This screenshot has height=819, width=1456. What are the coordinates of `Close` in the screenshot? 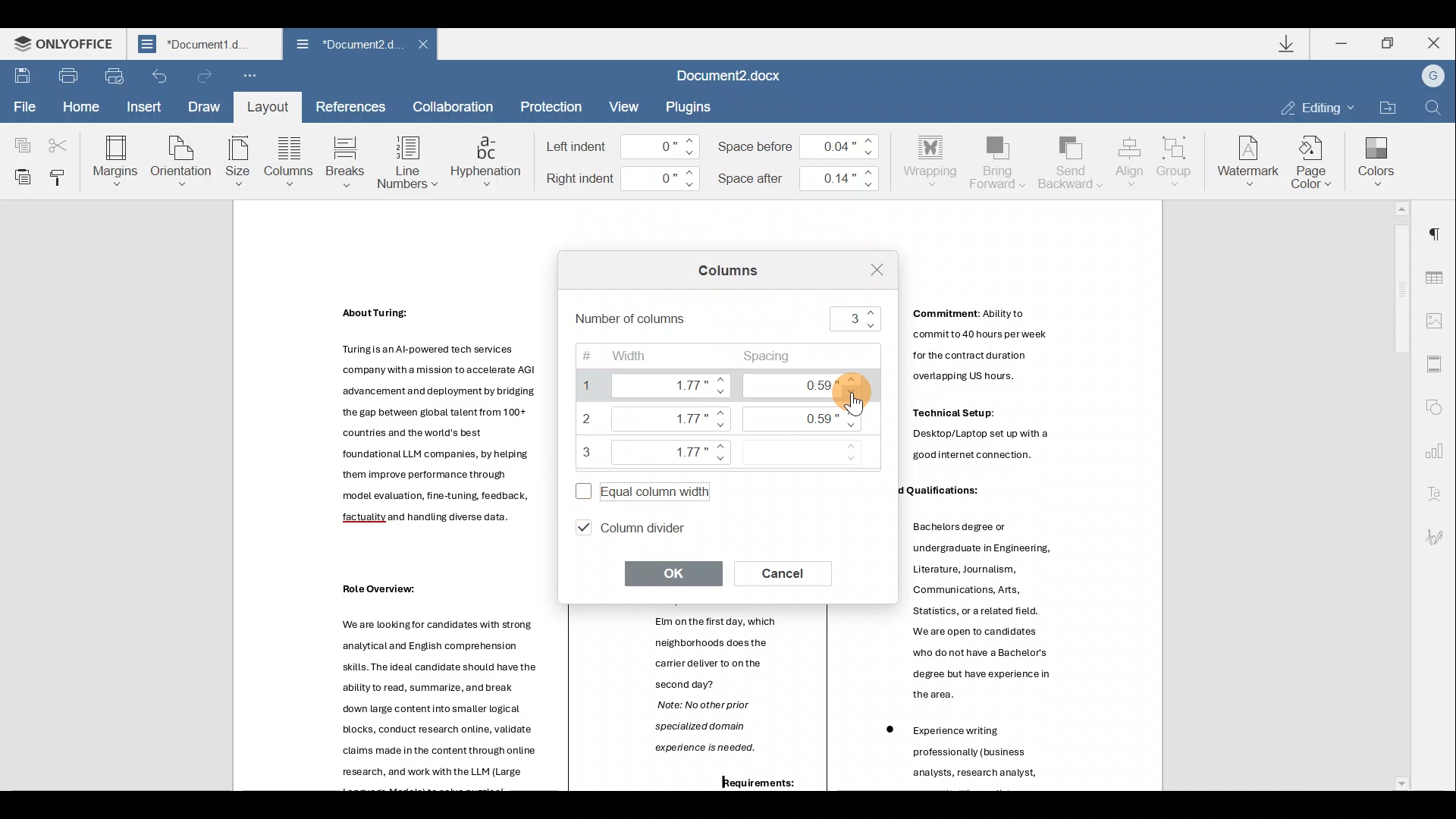 It's located at (1434, 42).